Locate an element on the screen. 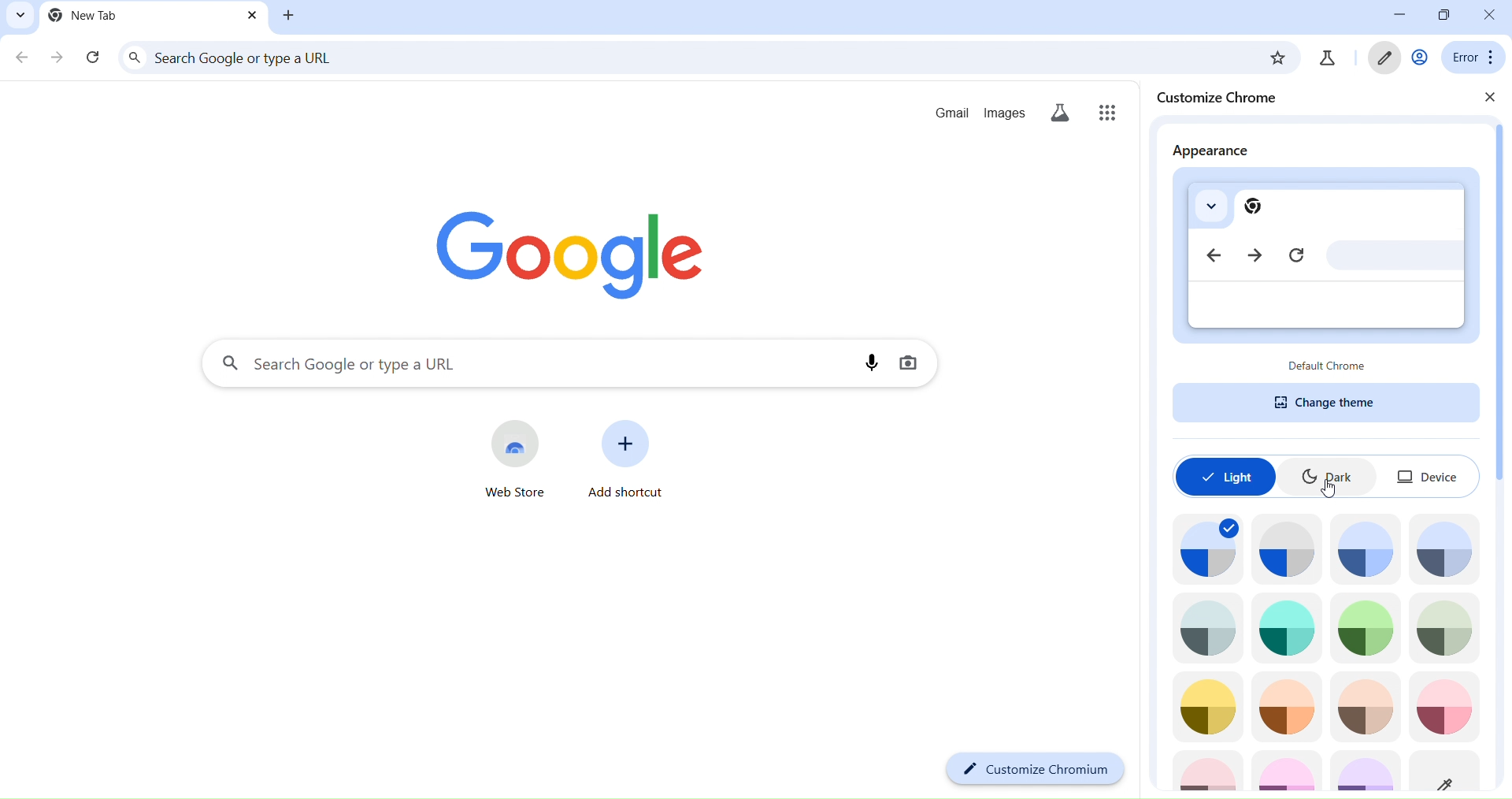 This screenshot has width=1512, height=799. search panel is located at coordinates (530, 363).